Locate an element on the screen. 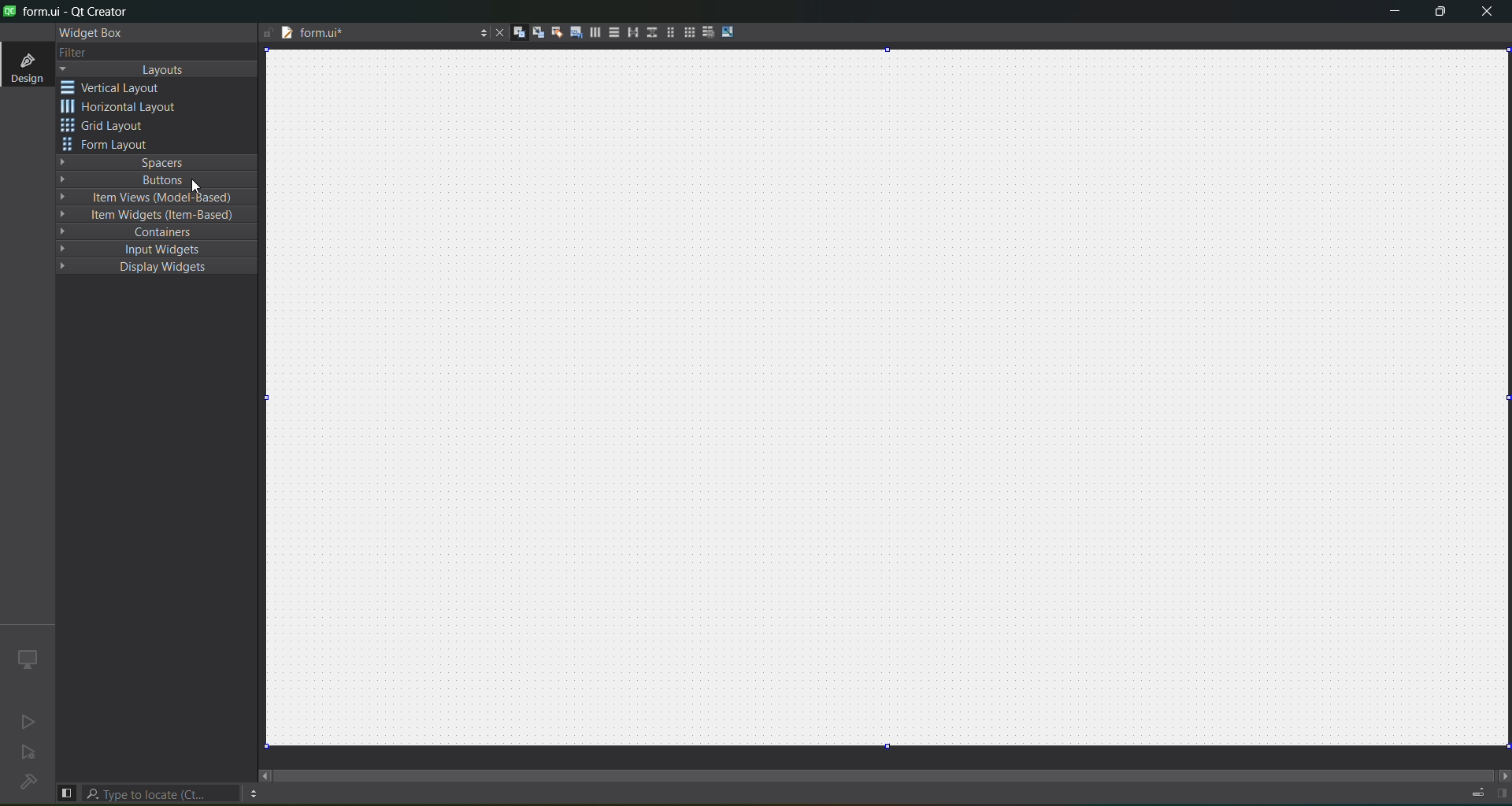 The image size is (1512, 806). filter is located at coordinates (72, 52).